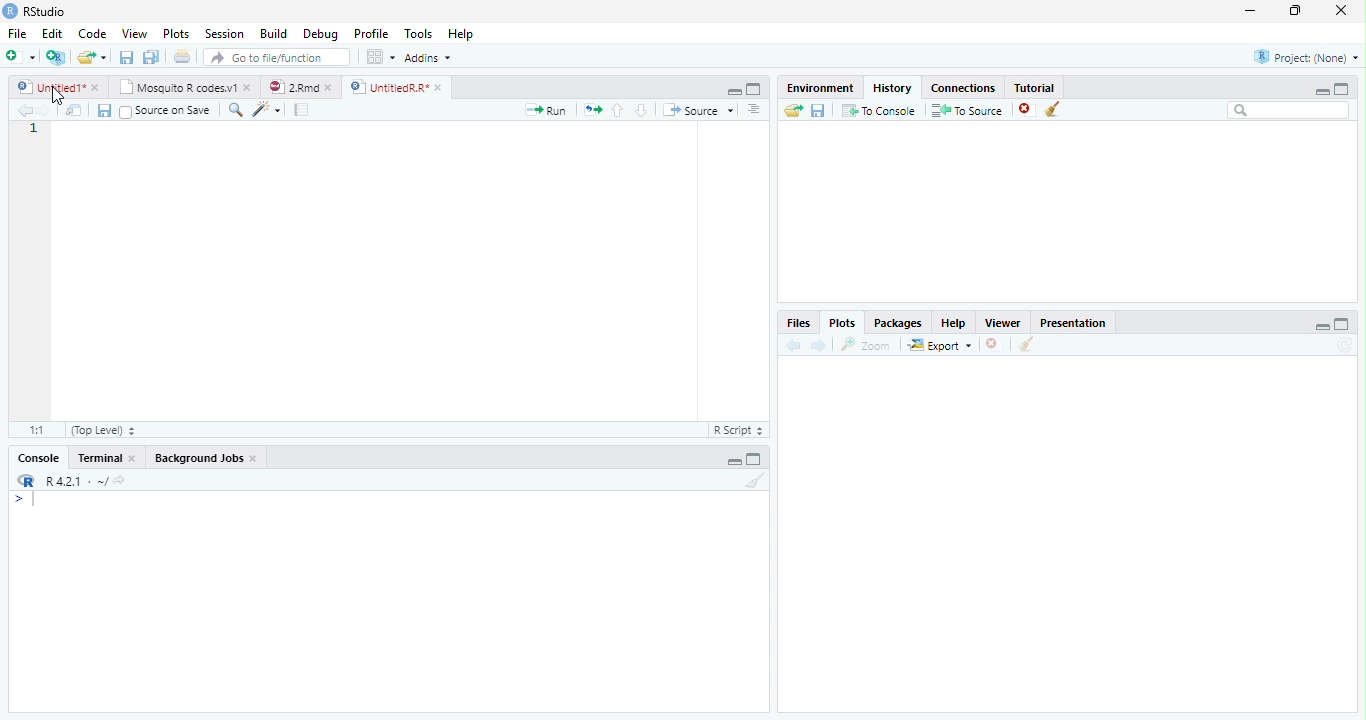 The height and width of the screenshot is (720, 1366). Describe the element at coordinates (1073, 322) in the screenshot. I see `Presentation` at that location.